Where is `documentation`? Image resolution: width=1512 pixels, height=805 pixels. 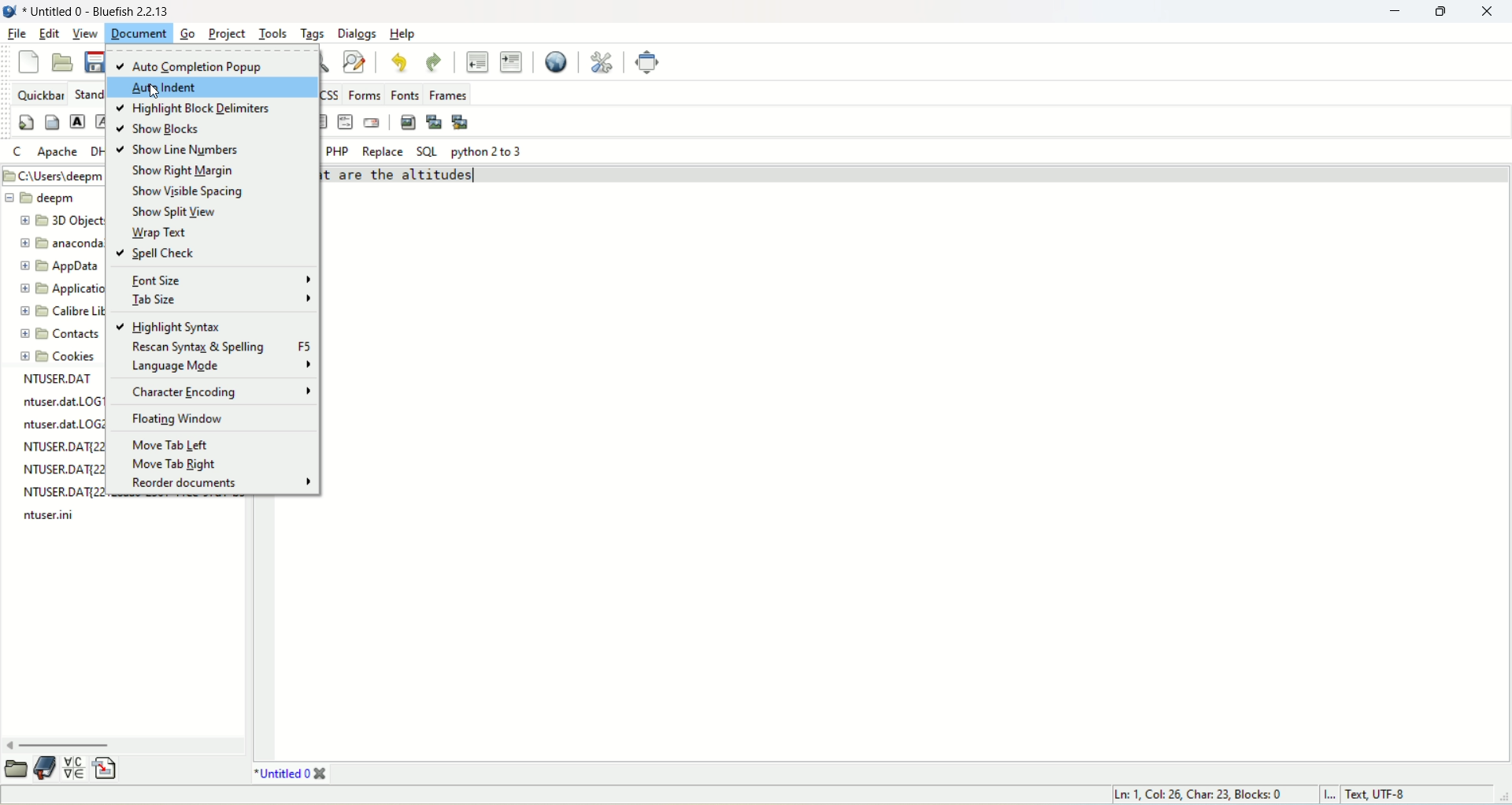 documentation is located at coordinates (45, 767).